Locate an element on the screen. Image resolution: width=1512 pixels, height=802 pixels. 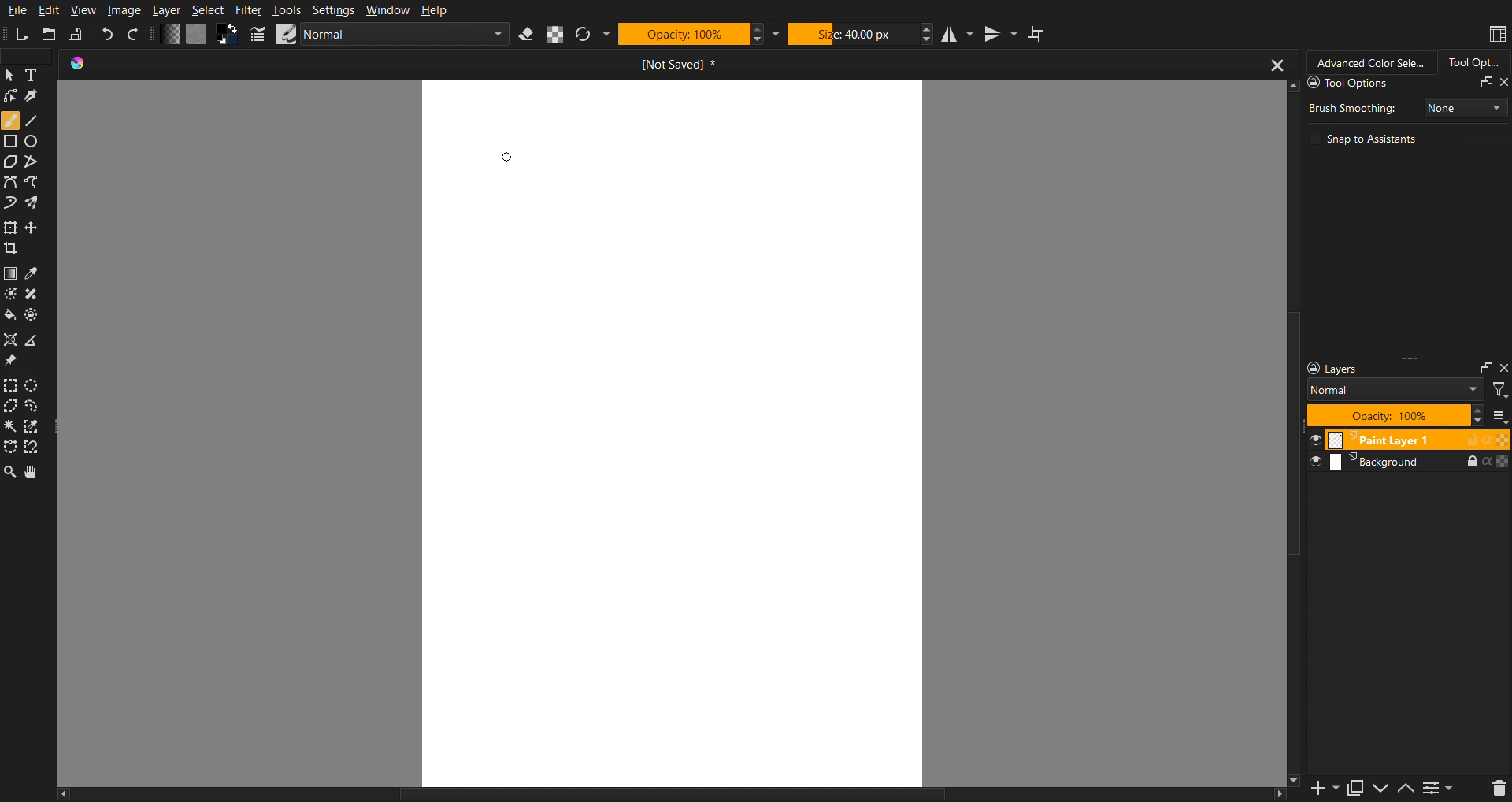
Redo is located at coordinates (135, 34).